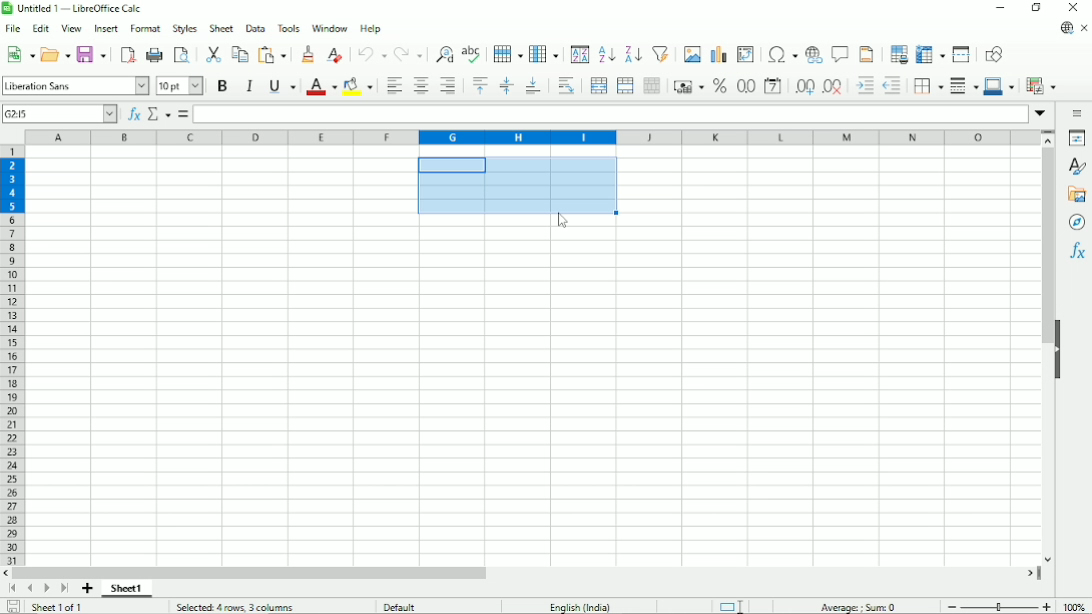 The height and width of the screenshot is (614, 1092). I want to click on format as number, so click(745, 86).